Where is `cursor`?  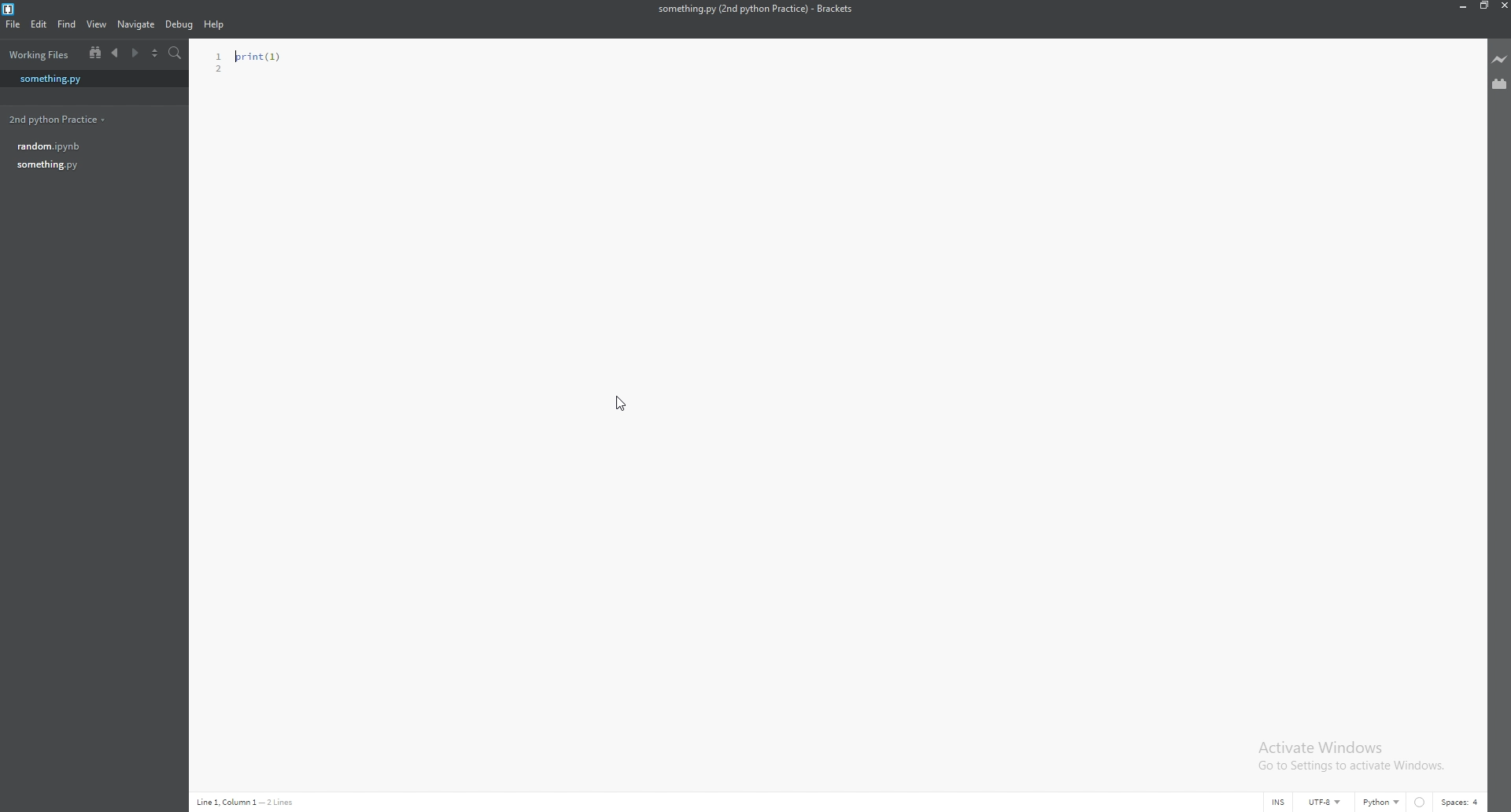
cursor is located at coordinates (619, 404).